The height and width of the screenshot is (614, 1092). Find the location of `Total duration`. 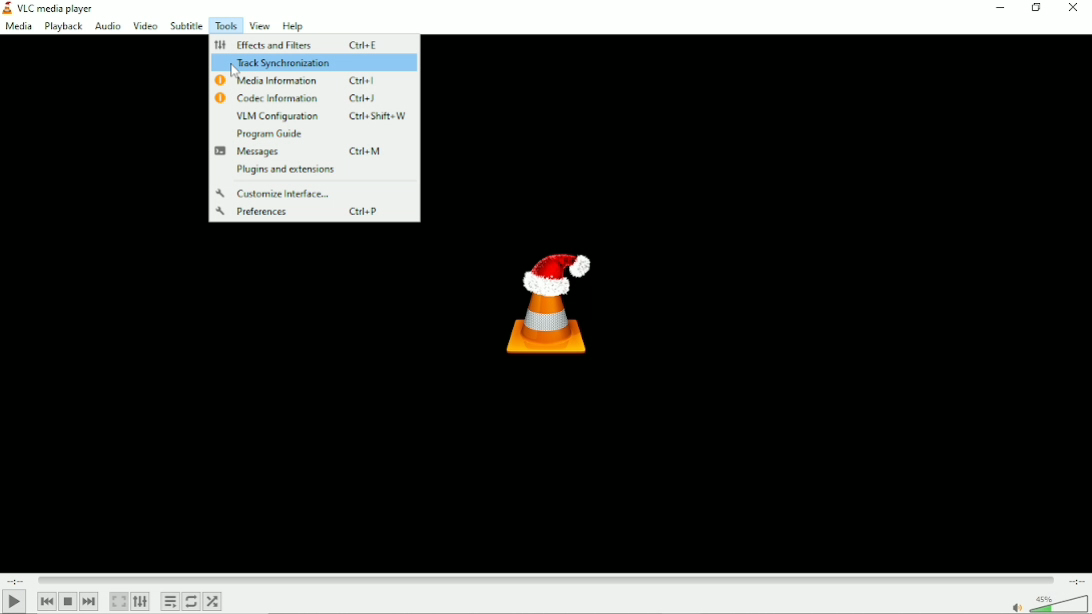

Total duration is located at coordinates (1076, 581).